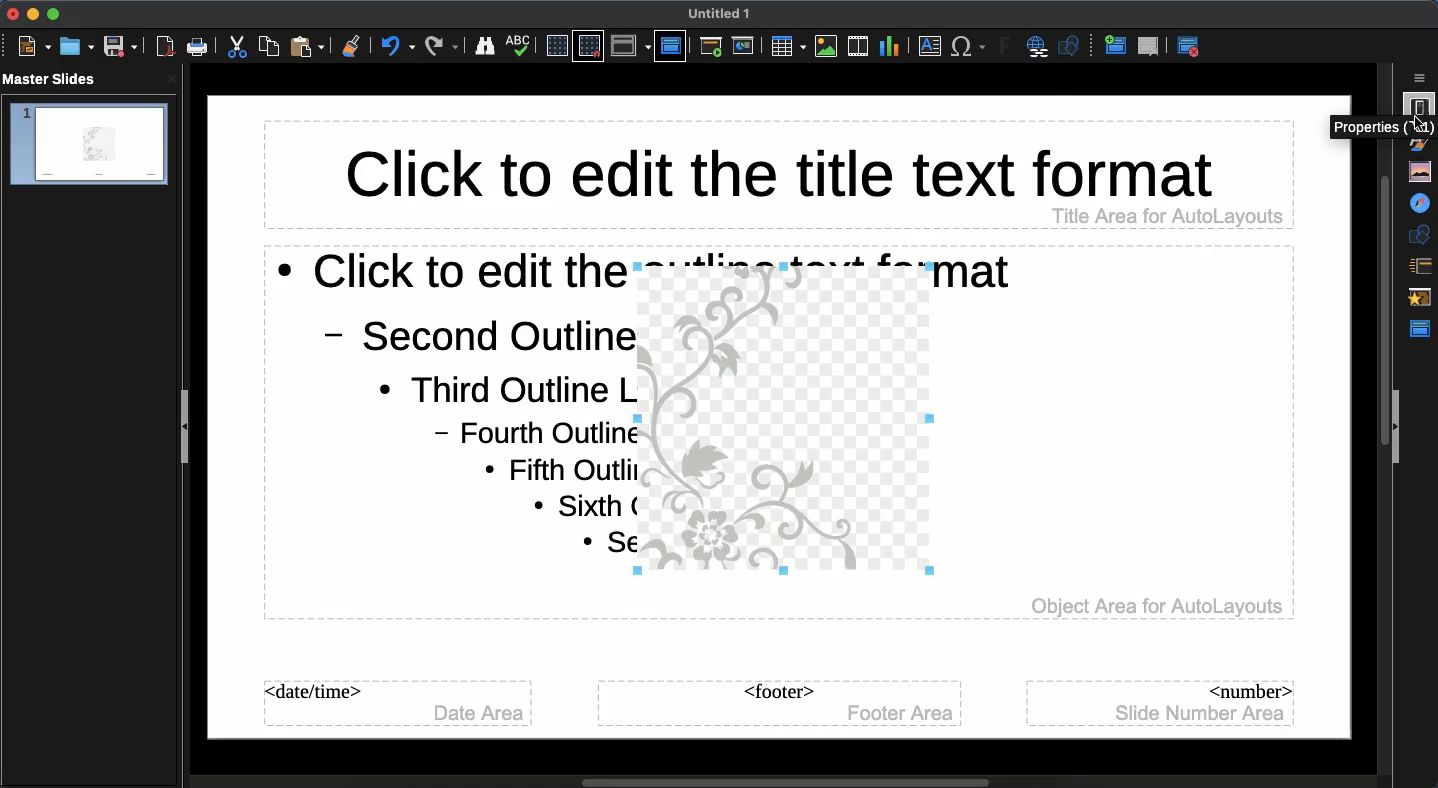 This screenshot has height=788, width=1438. What do you see at coordinates (630, 46) in the screenshot?
I see `Display view` at bounding box center [630, 46].